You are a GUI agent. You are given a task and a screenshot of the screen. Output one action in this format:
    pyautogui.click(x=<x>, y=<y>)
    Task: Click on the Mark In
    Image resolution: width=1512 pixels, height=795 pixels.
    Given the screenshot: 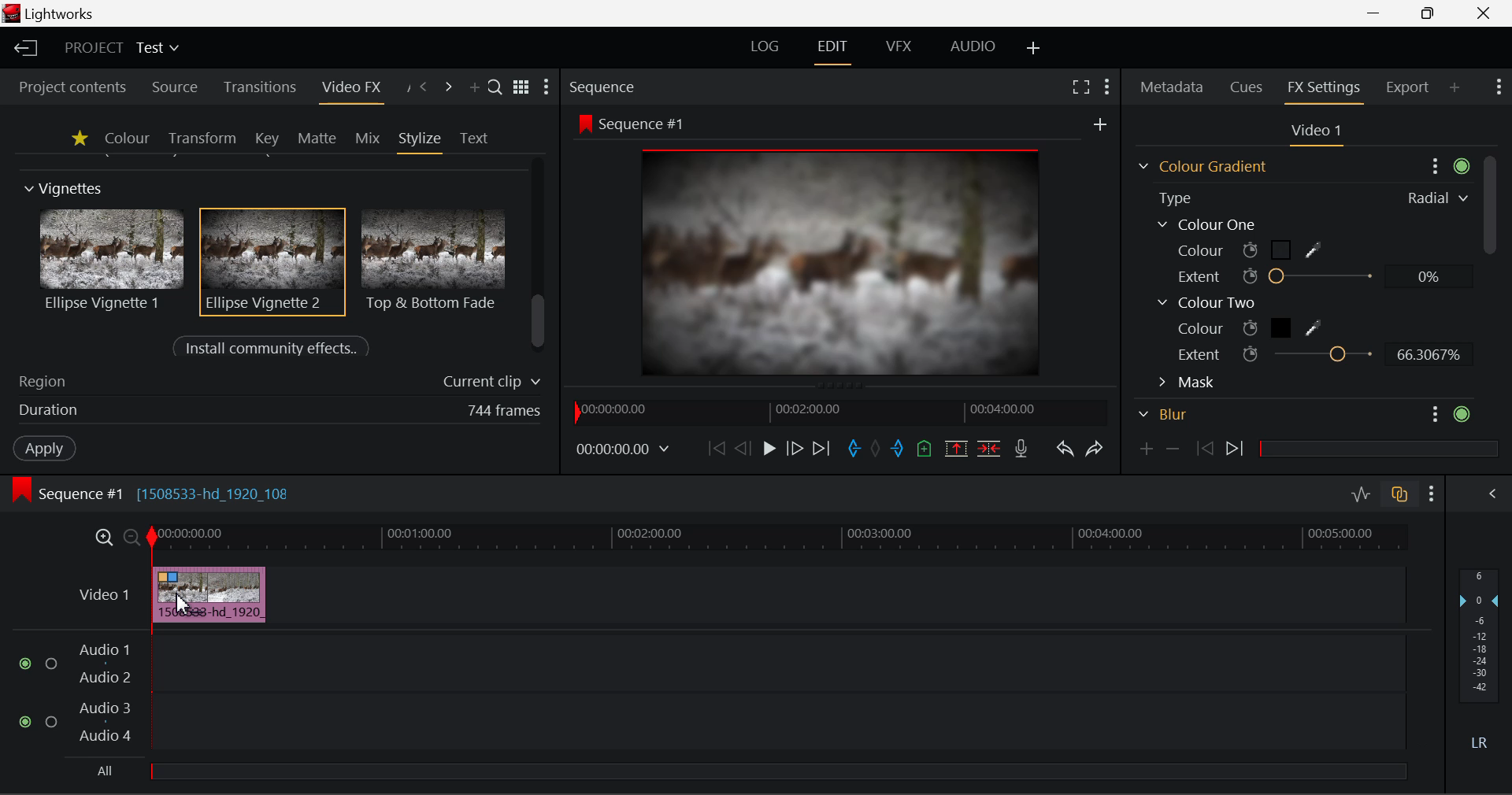 What is the action you would take?
    pyautogui.click(x=852, y=446)
    